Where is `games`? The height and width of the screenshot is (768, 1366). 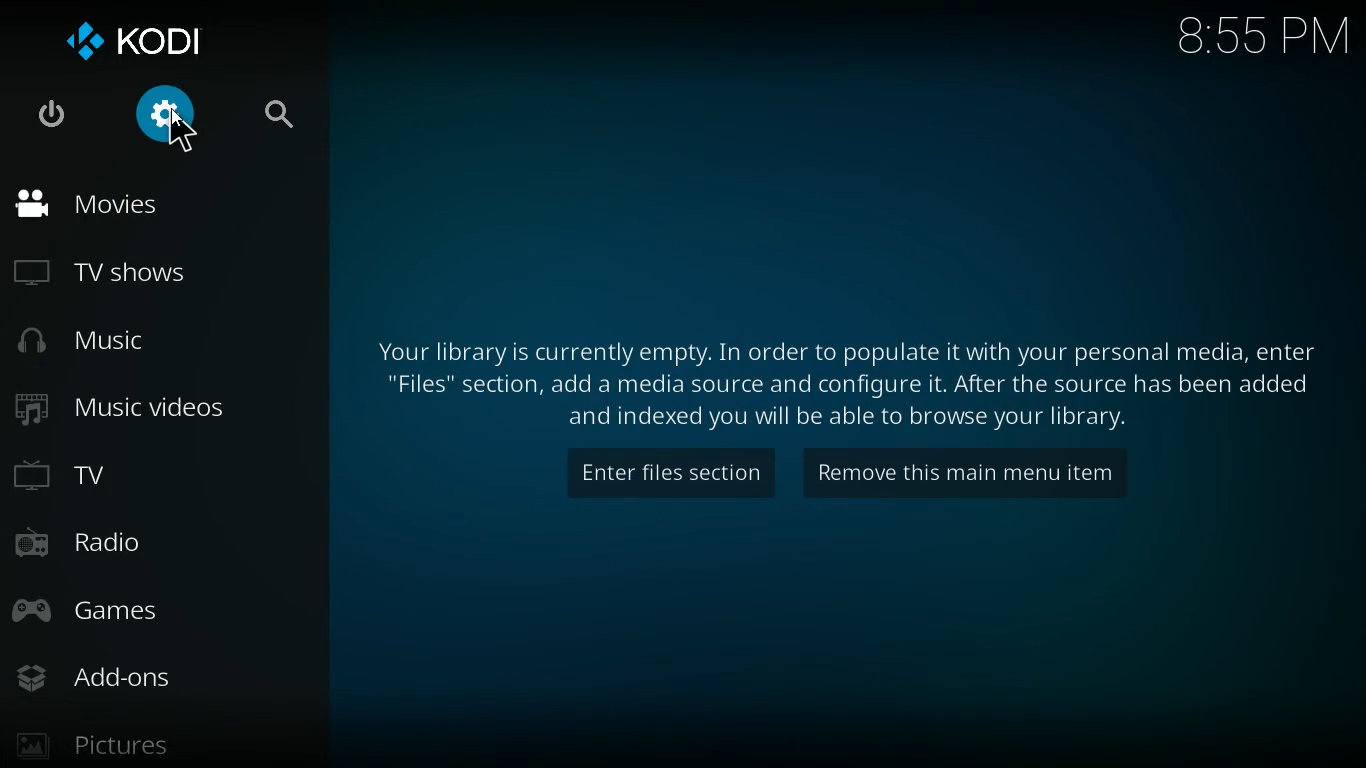
games is located at coordinates (126, 608).